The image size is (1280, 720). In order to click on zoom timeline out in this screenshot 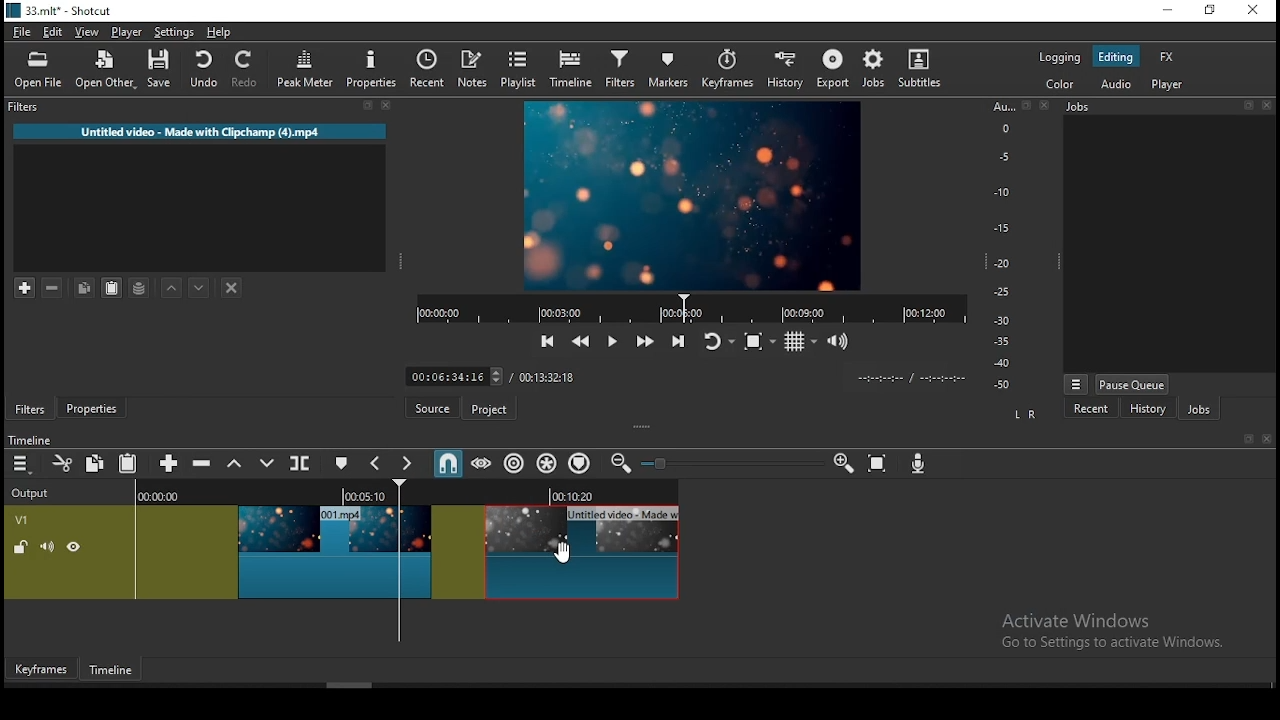, I will do `click(618, 464)`.